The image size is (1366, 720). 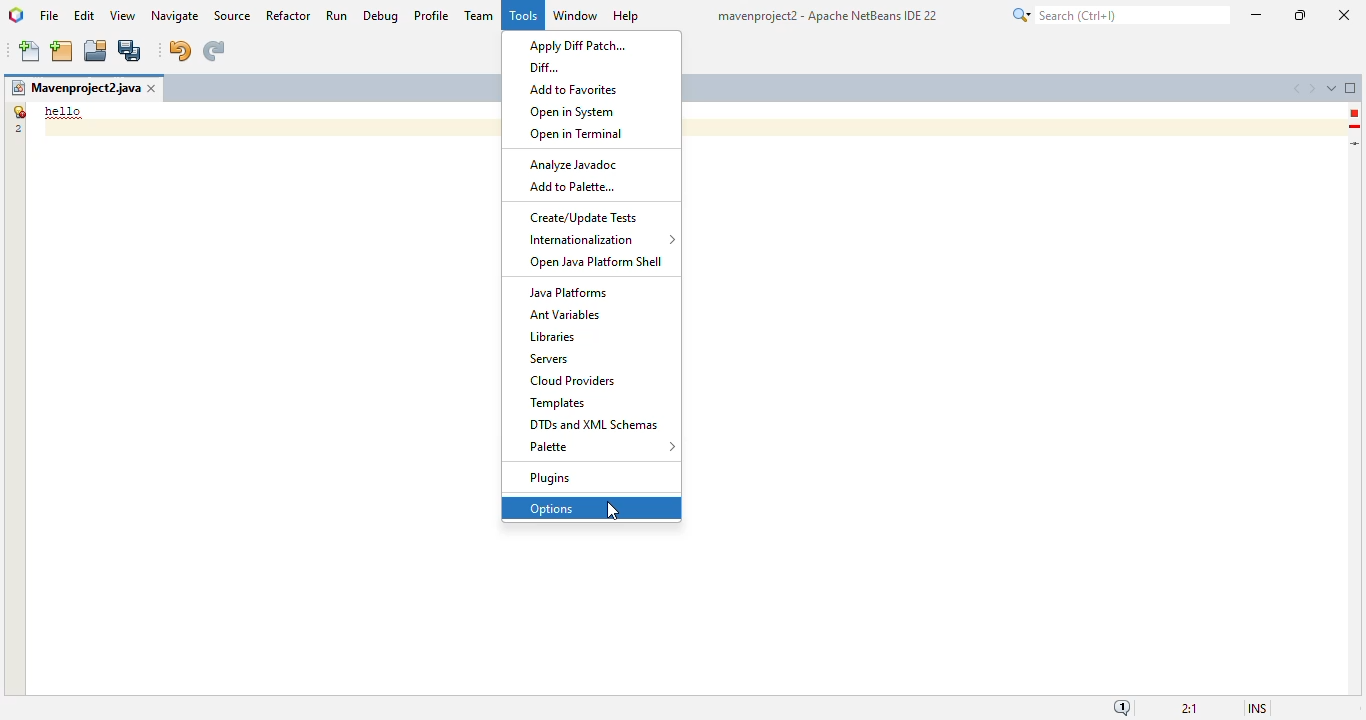 I want to click on file, so click(x=49, y=17).